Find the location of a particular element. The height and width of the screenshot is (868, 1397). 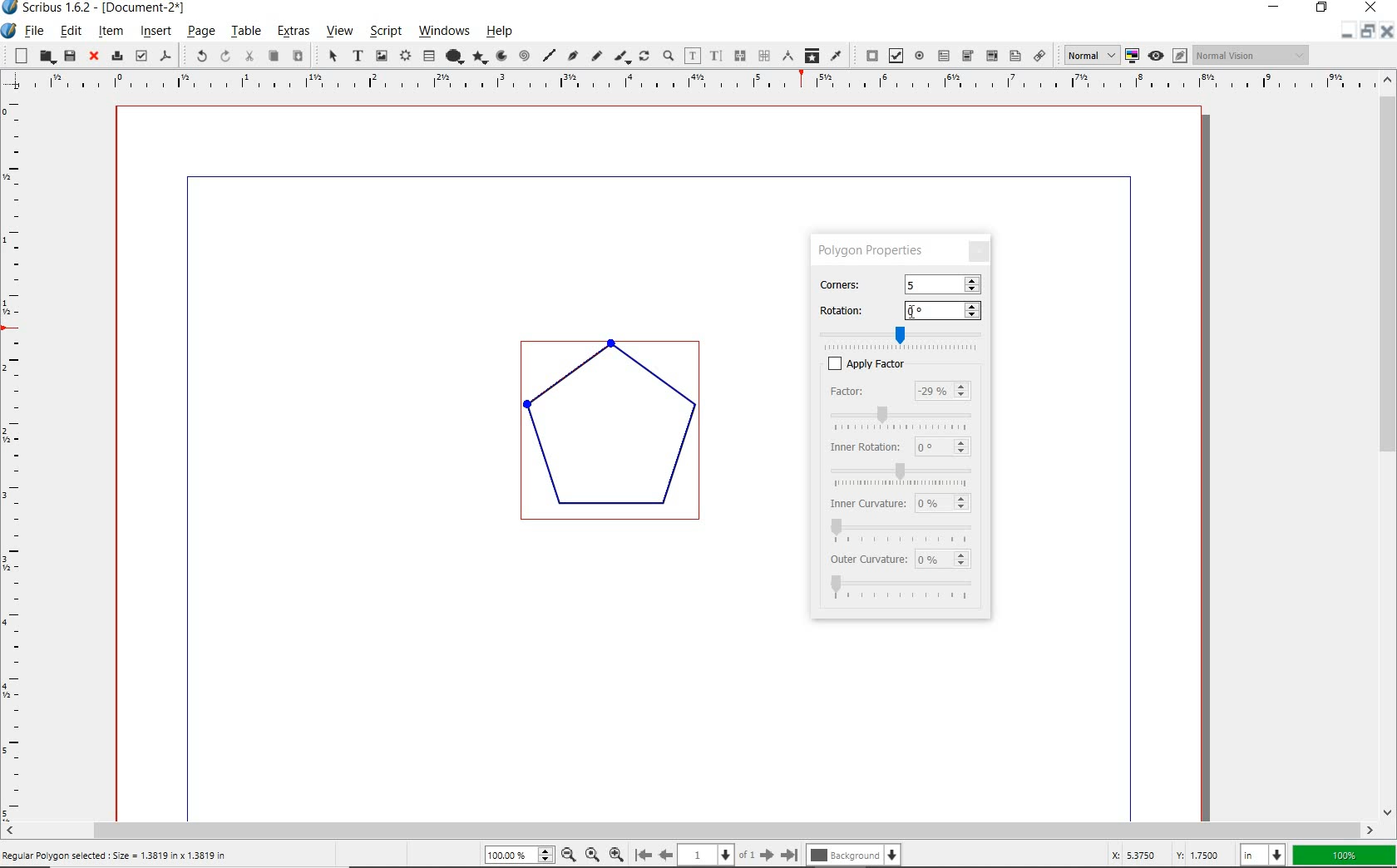

image frame is located at coordinates (380, 55).